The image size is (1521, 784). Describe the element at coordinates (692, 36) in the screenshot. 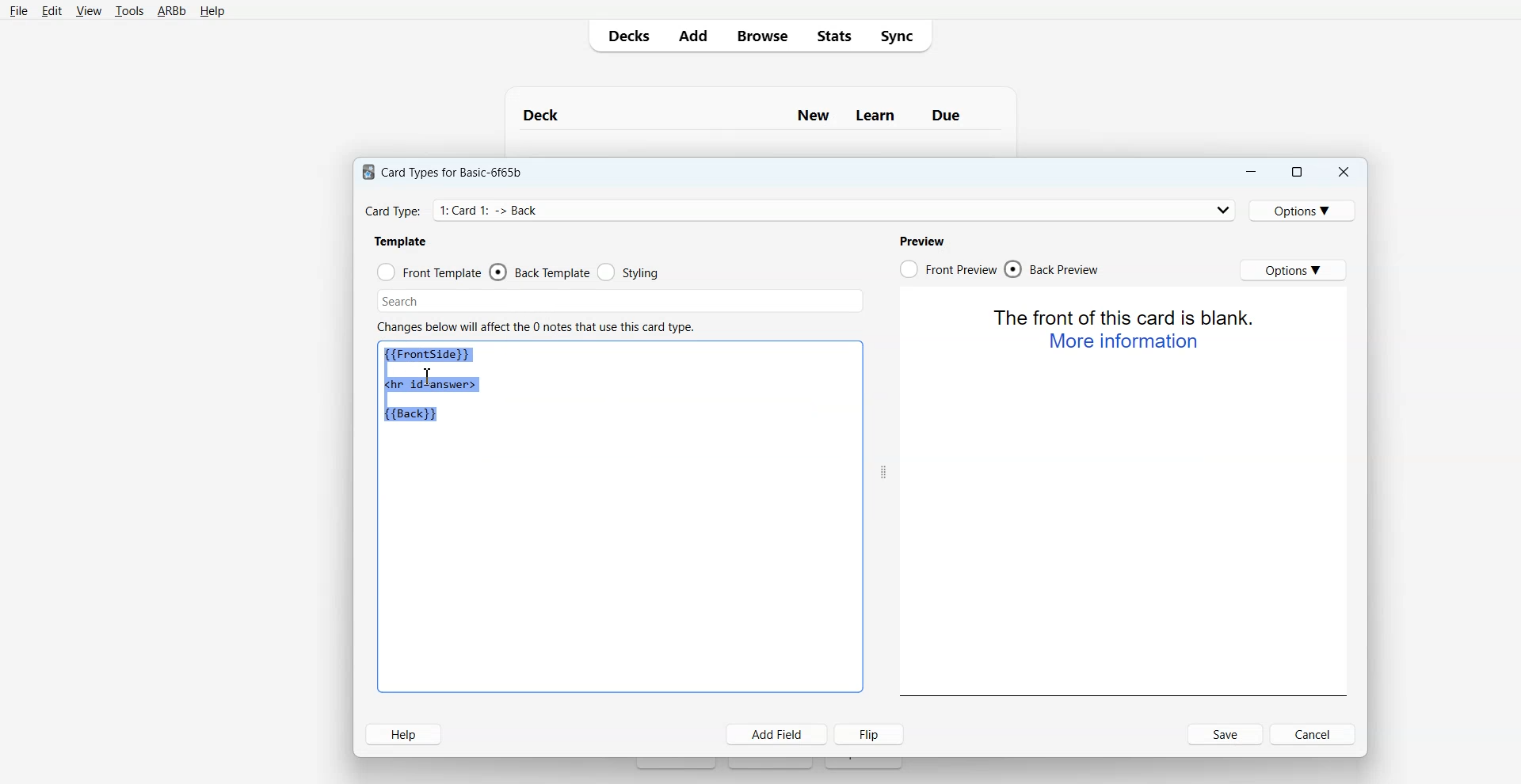

I see `Add` at that location.